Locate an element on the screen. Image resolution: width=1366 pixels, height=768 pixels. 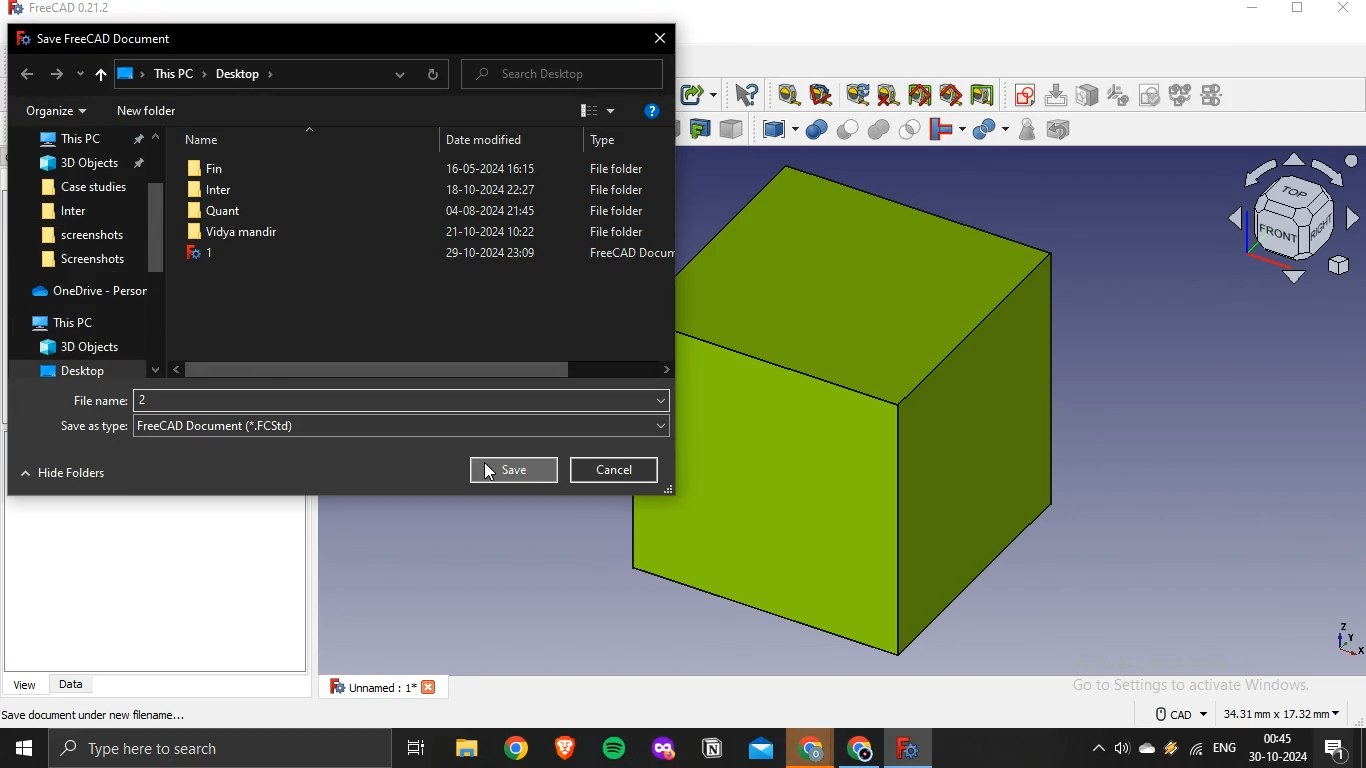
screenshot is located at coordinates (73, 238).